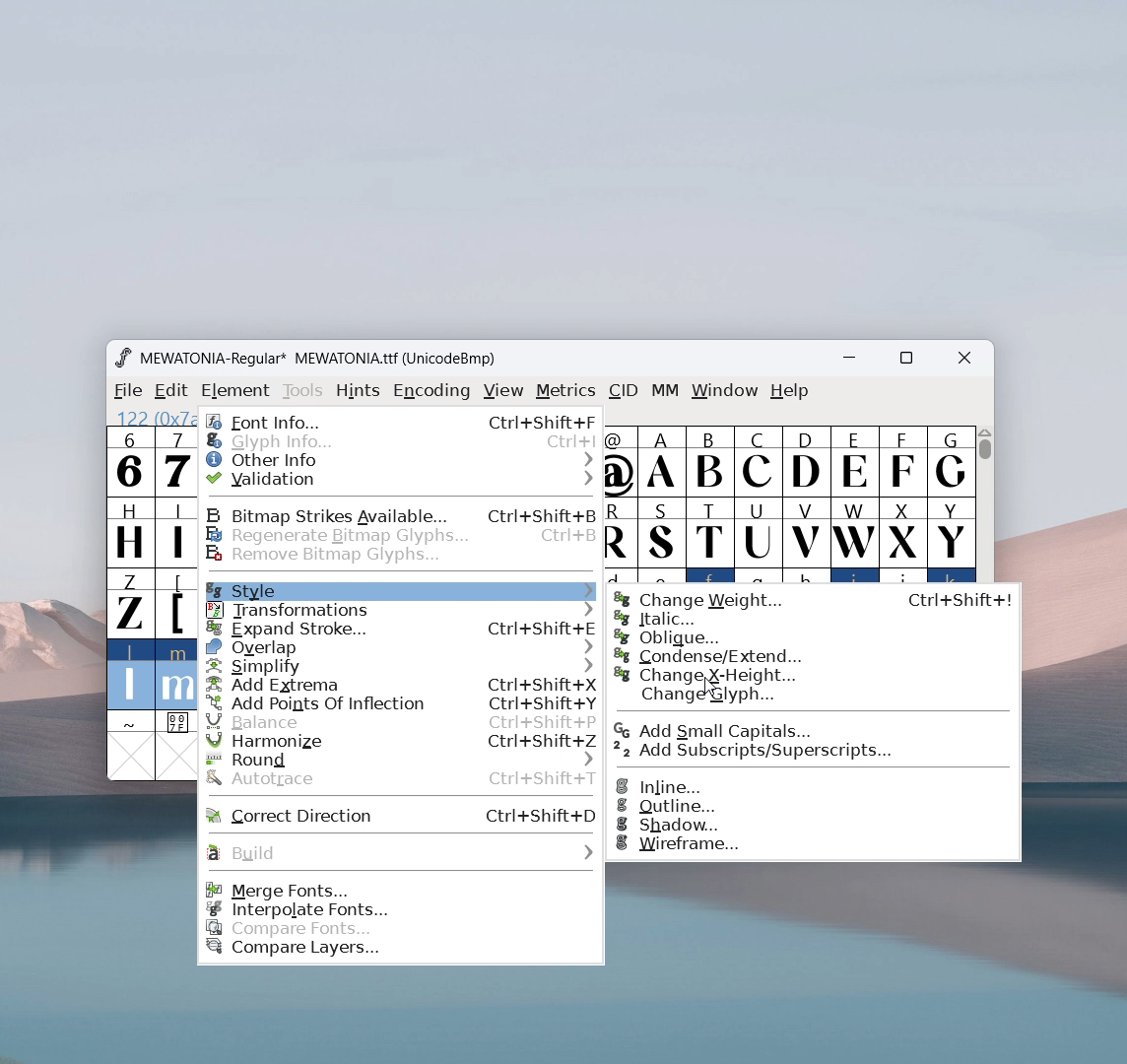  Describe the element at coordinates (402, 814) in the screenshot. I see `correct direction` at that location.